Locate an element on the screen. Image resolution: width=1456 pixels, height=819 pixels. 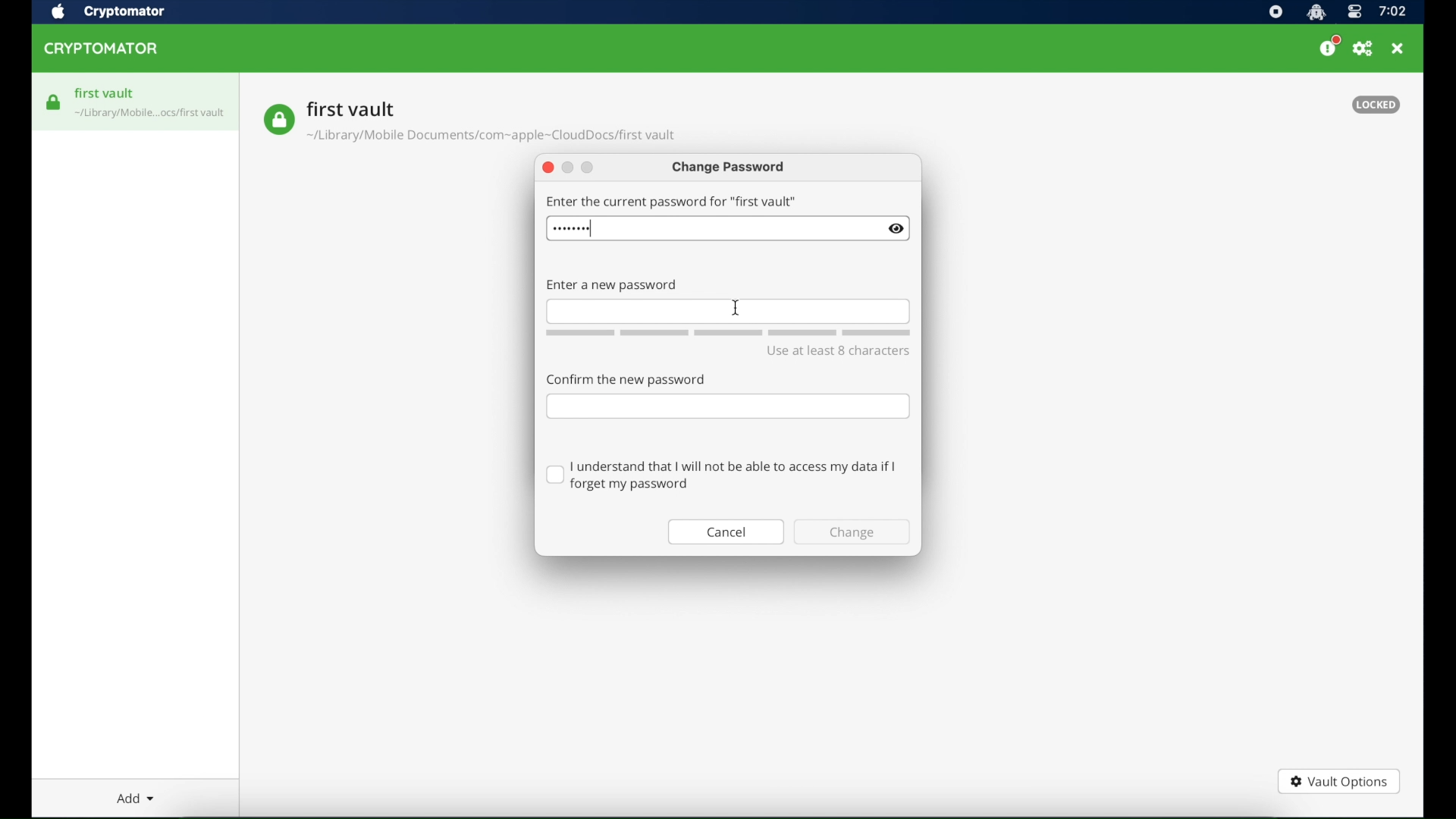
please consider donating is located at coordinates (1329, 46).